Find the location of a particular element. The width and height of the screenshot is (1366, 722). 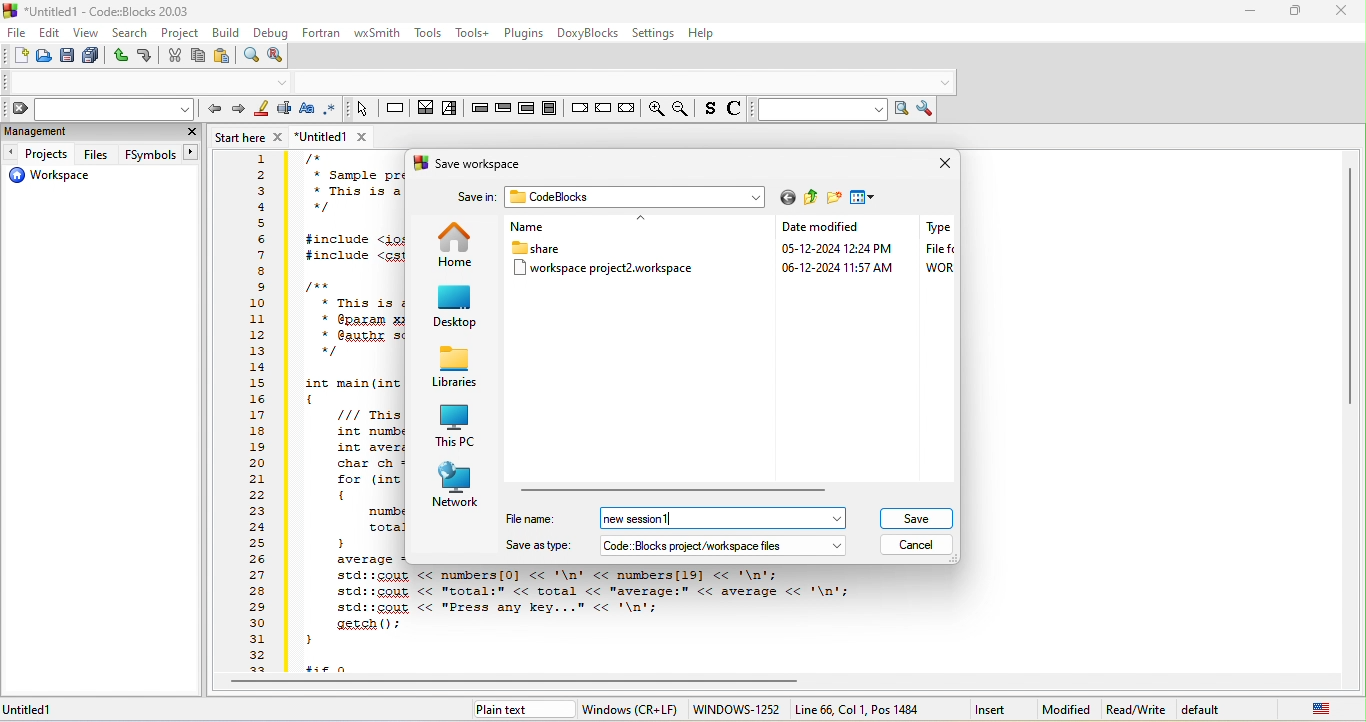

copy is located at coordinates (197, 56).